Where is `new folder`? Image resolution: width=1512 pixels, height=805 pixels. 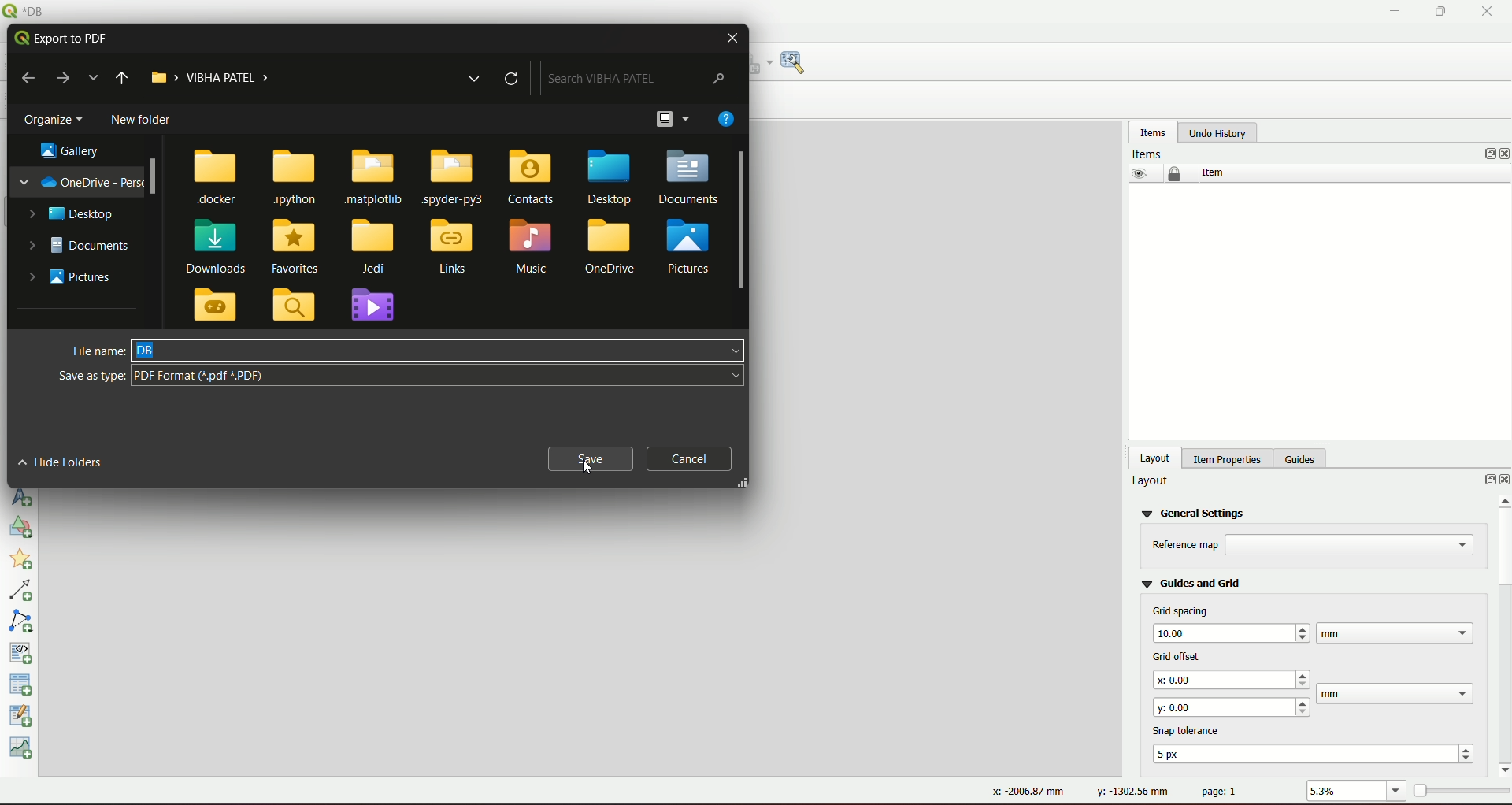
new folder is located at coordinates (139, 120).